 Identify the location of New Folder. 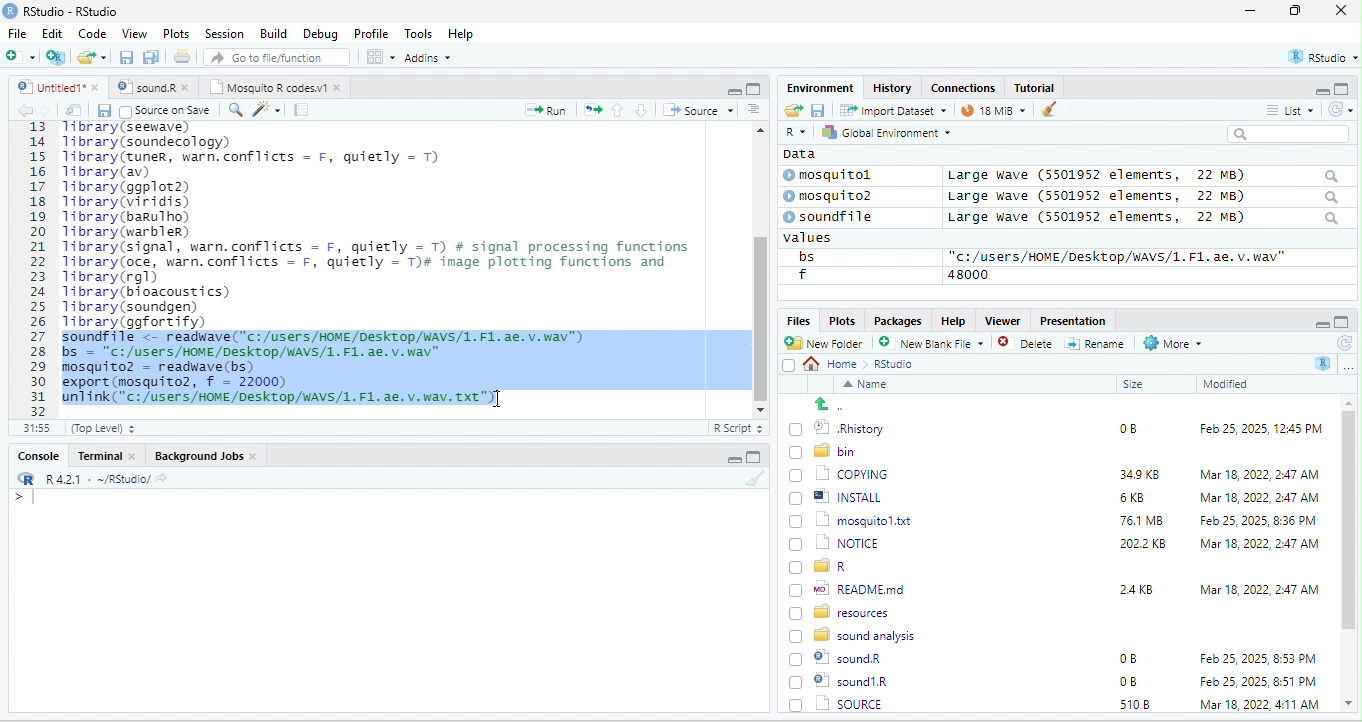
(828, 343).